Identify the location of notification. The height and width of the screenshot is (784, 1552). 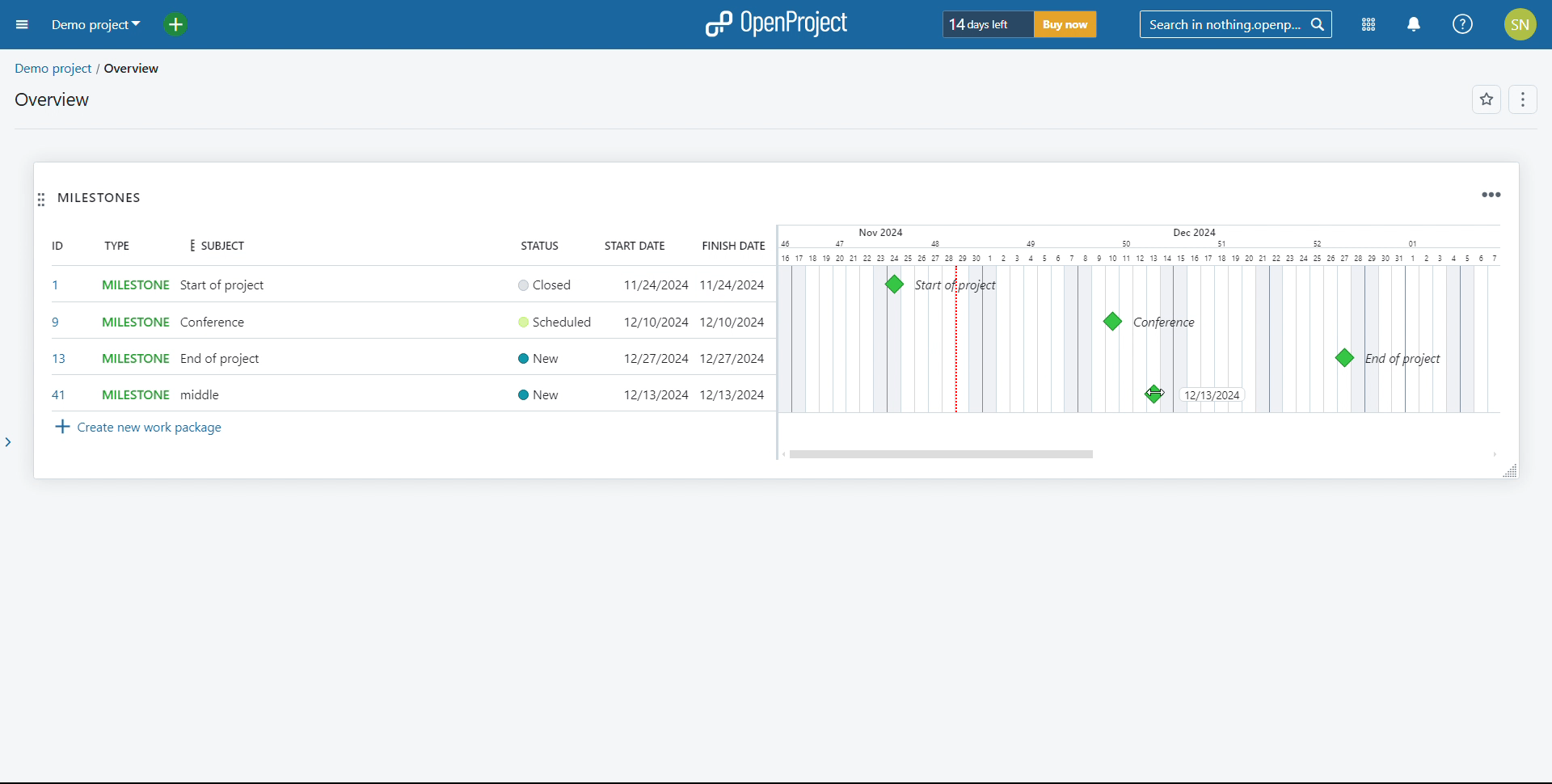
(1414, 25).